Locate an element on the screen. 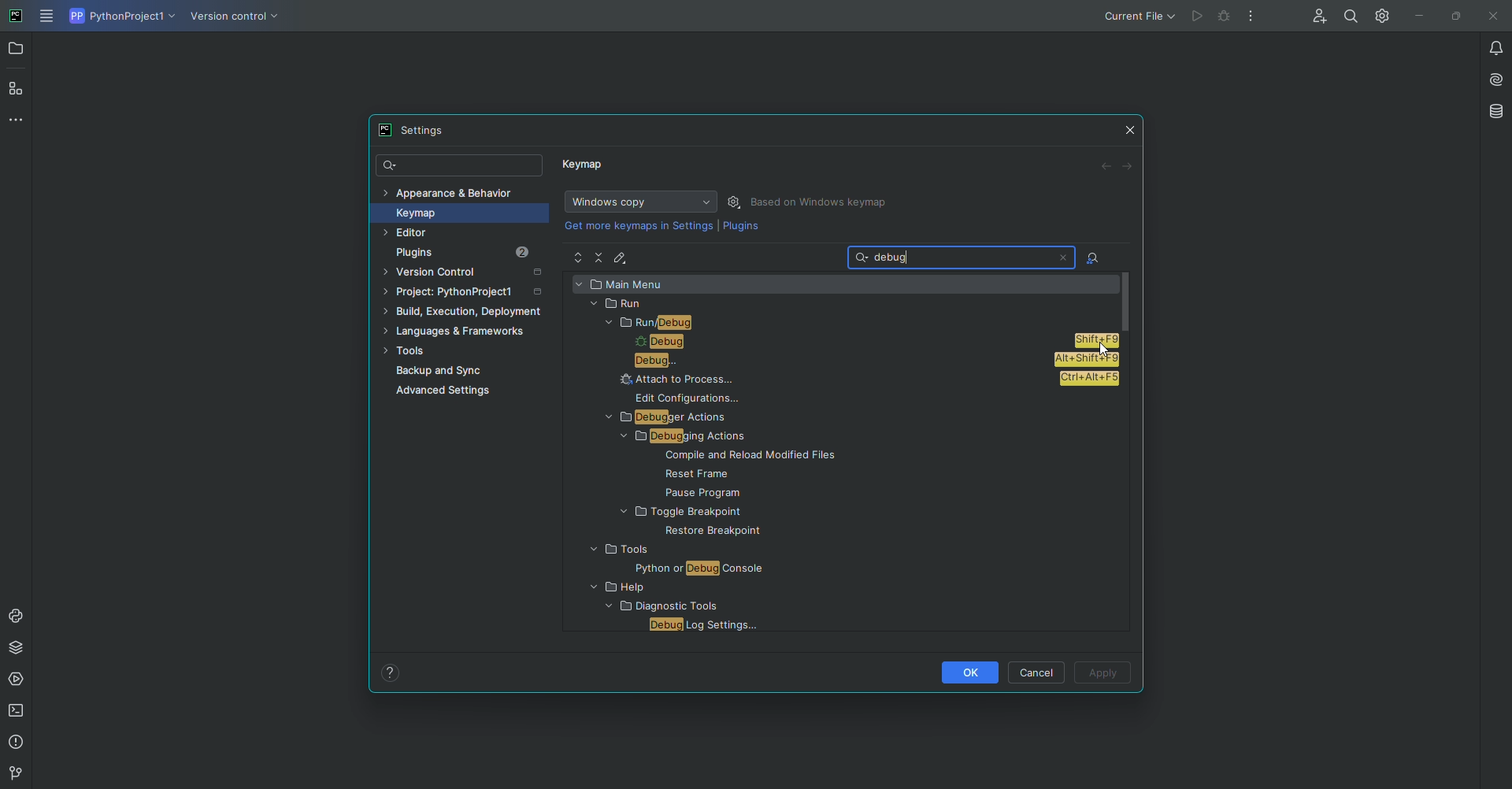  Expand is located at coordinates (578, 258).